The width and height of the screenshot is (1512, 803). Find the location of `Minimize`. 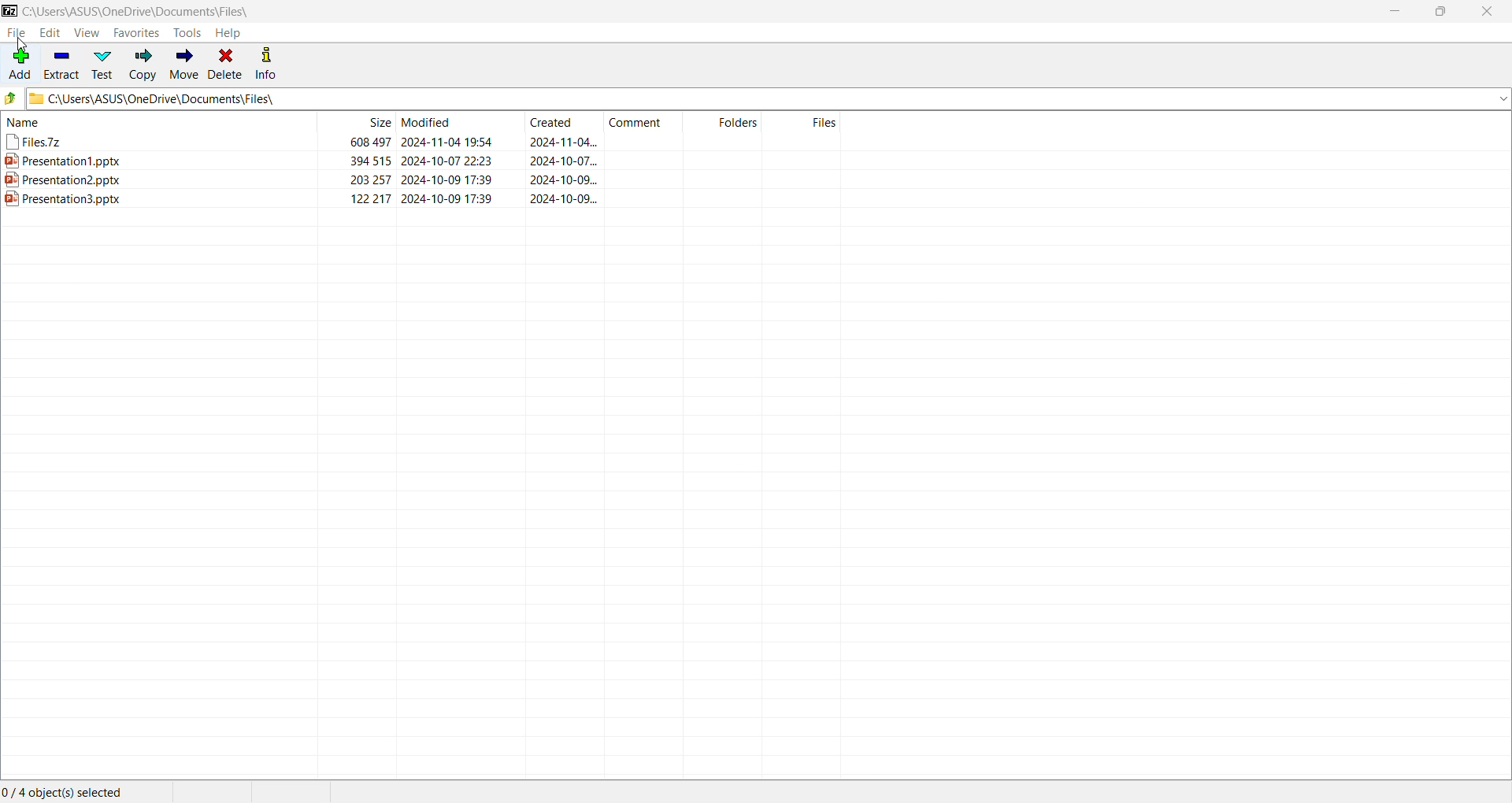

Minimize is located at coordinates (1395, 10).